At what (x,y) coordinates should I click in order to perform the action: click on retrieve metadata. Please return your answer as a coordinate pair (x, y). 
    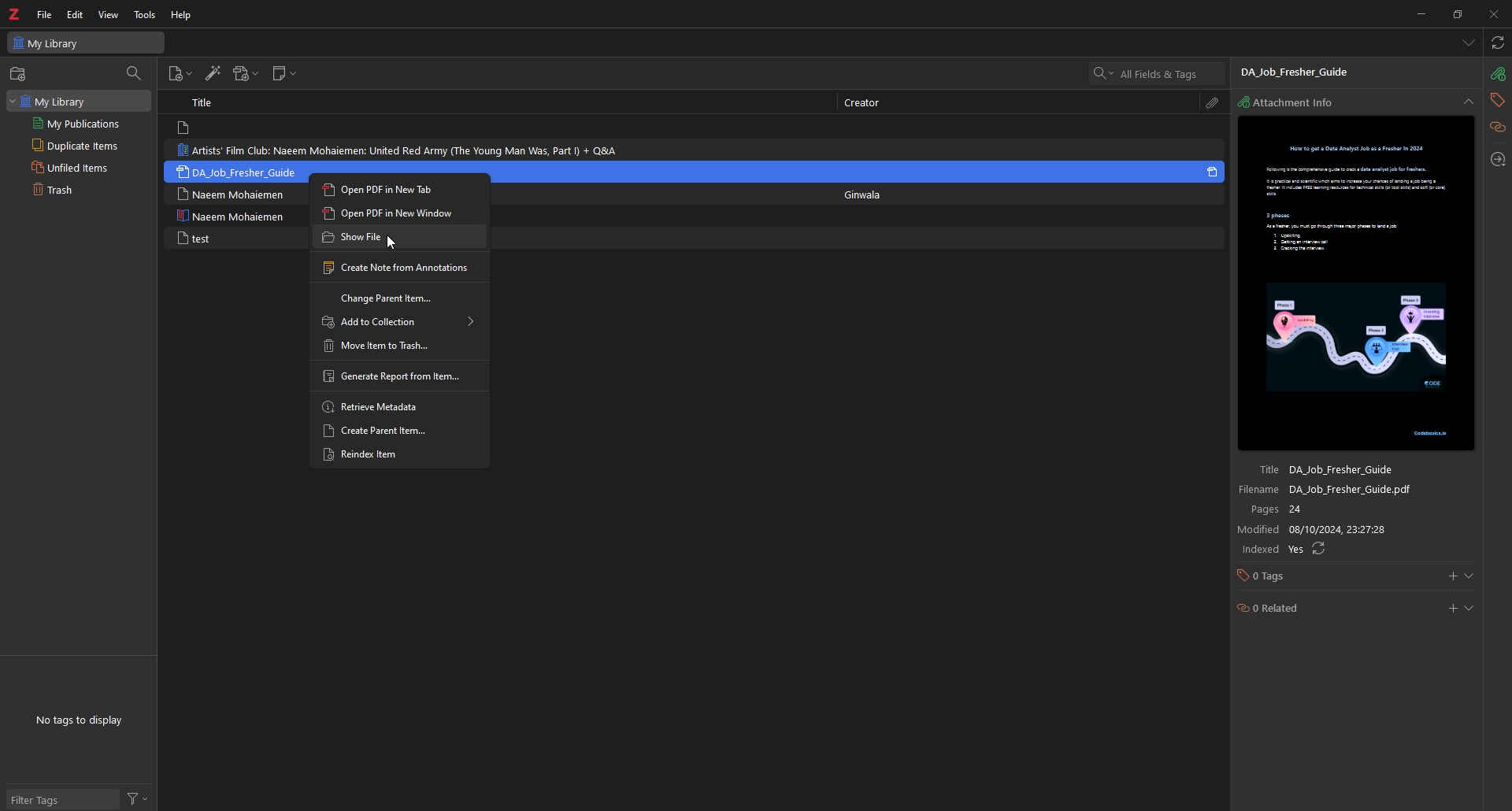
    Looking at the image, I should click on (396, 406).